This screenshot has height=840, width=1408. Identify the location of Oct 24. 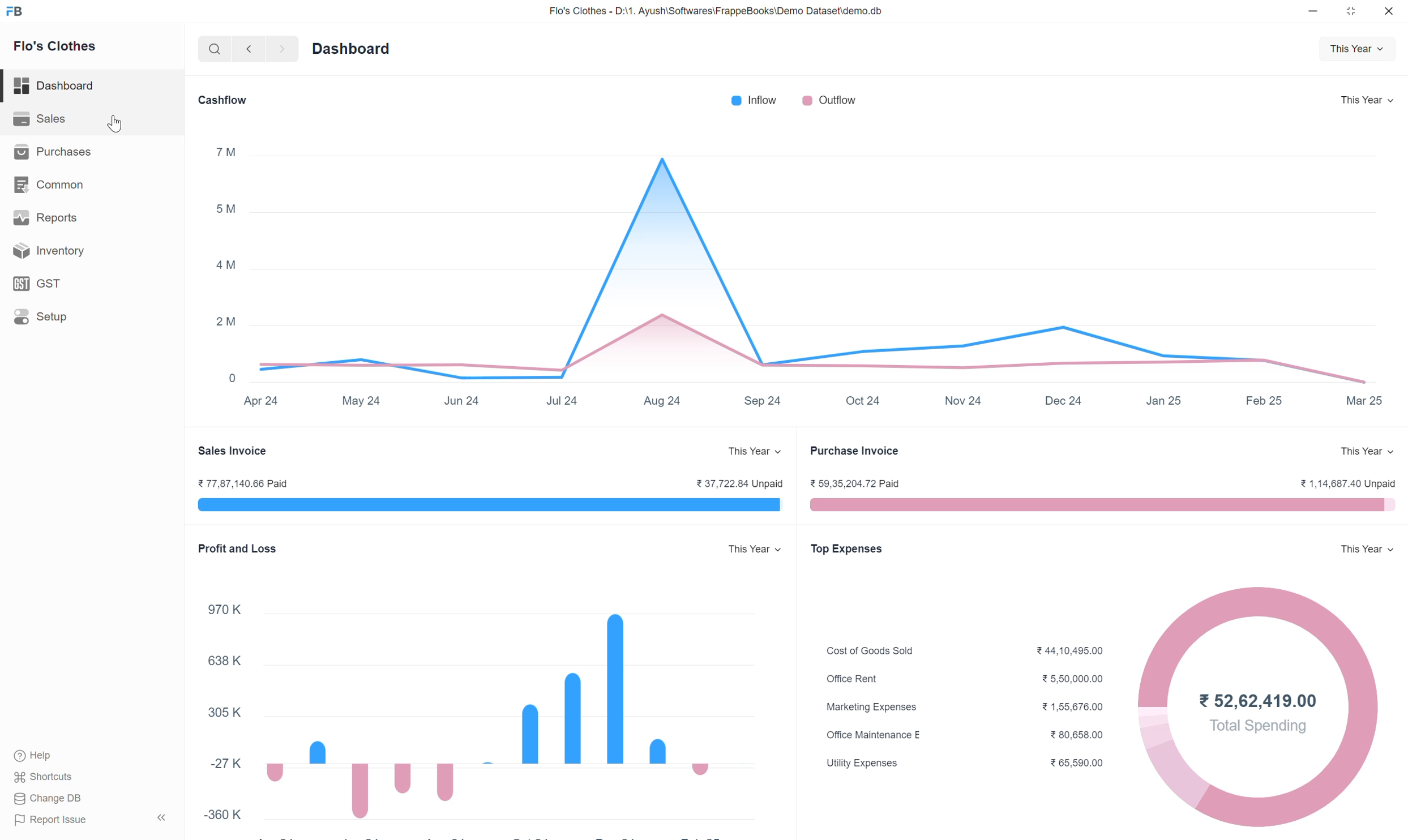
(865, 398).